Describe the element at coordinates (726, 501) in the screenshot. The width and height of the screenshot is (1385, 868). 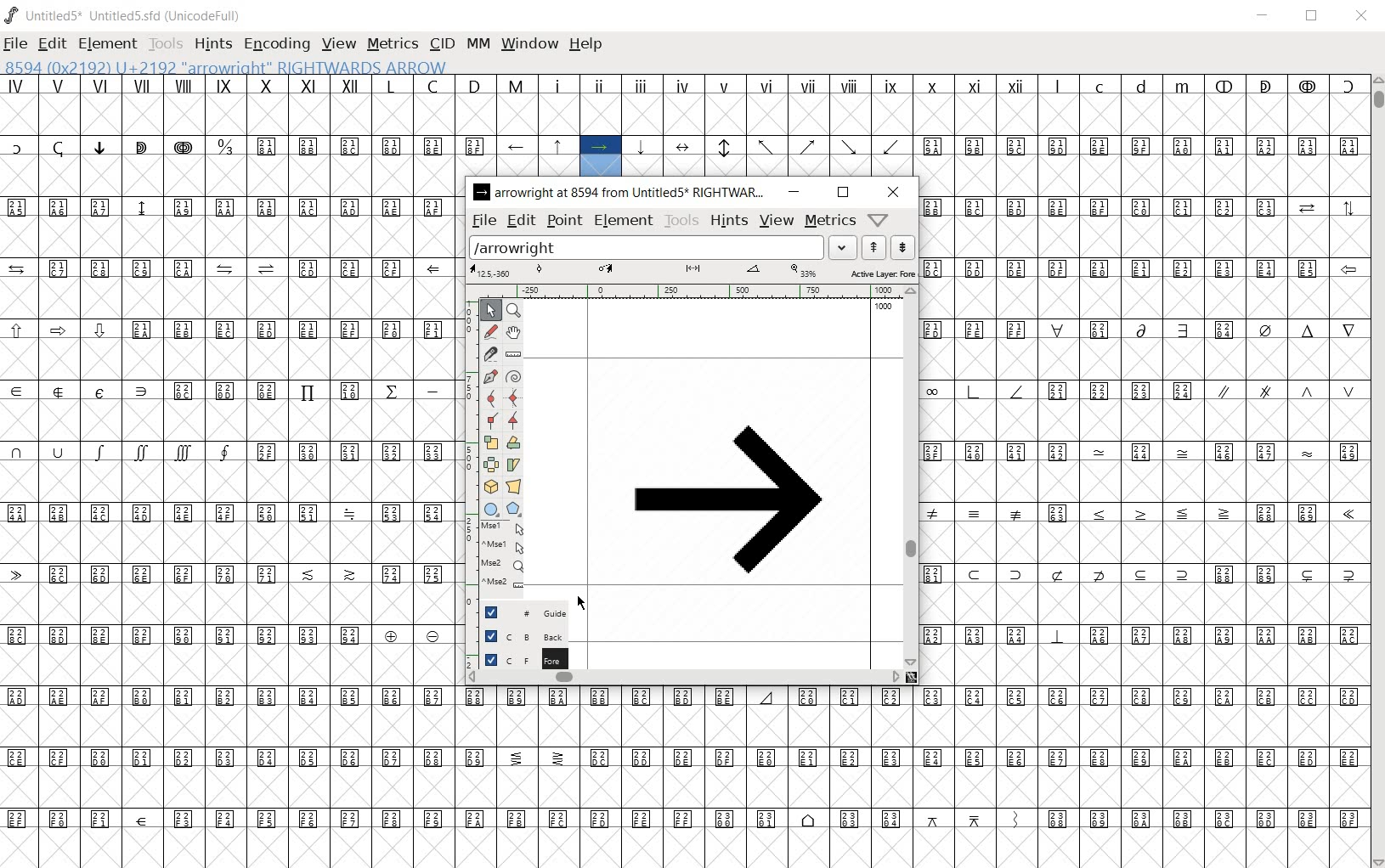
I see `forward arrow glyph added` at that location.